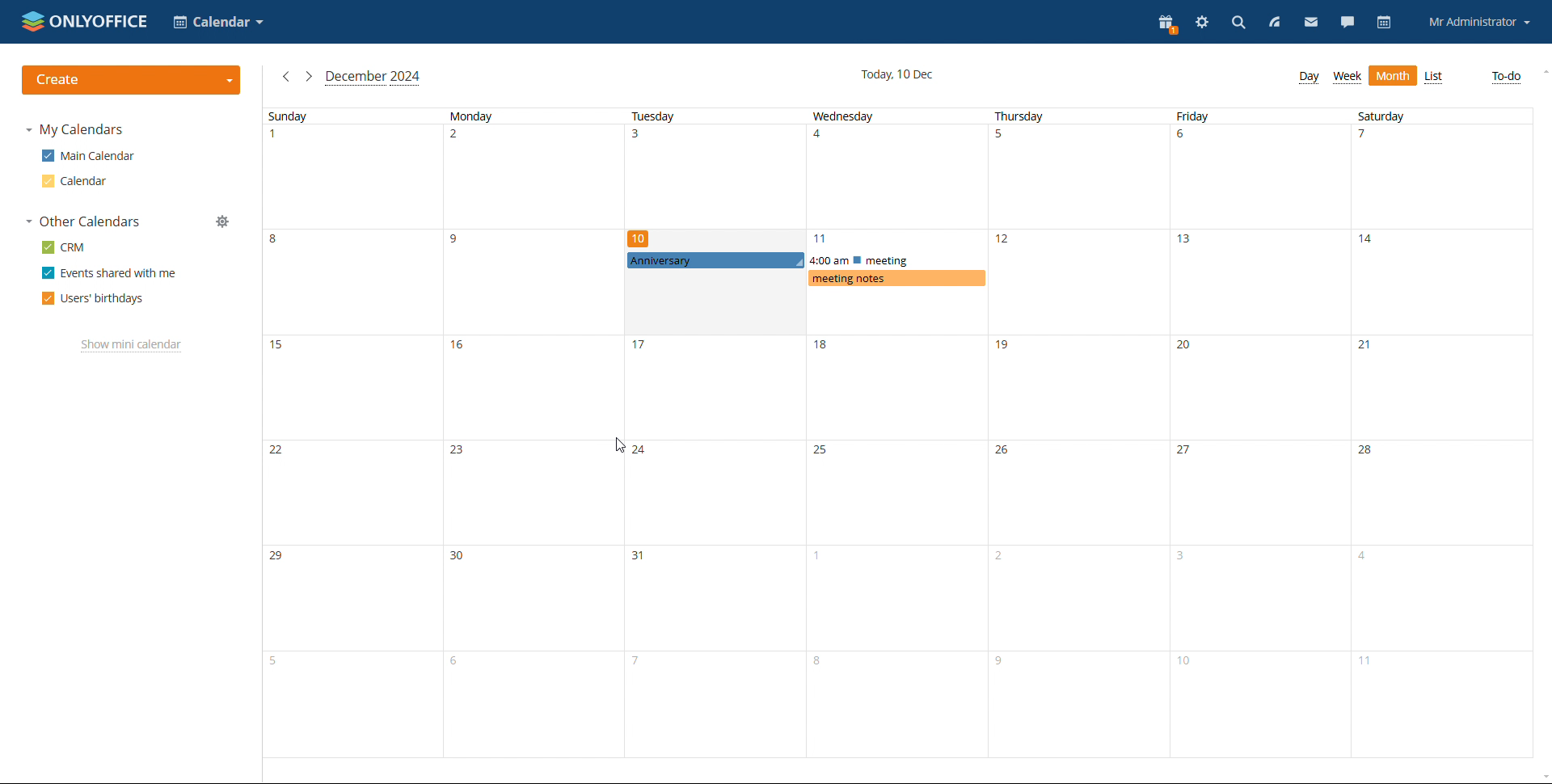  I want to click on present, so click(1168, 23).